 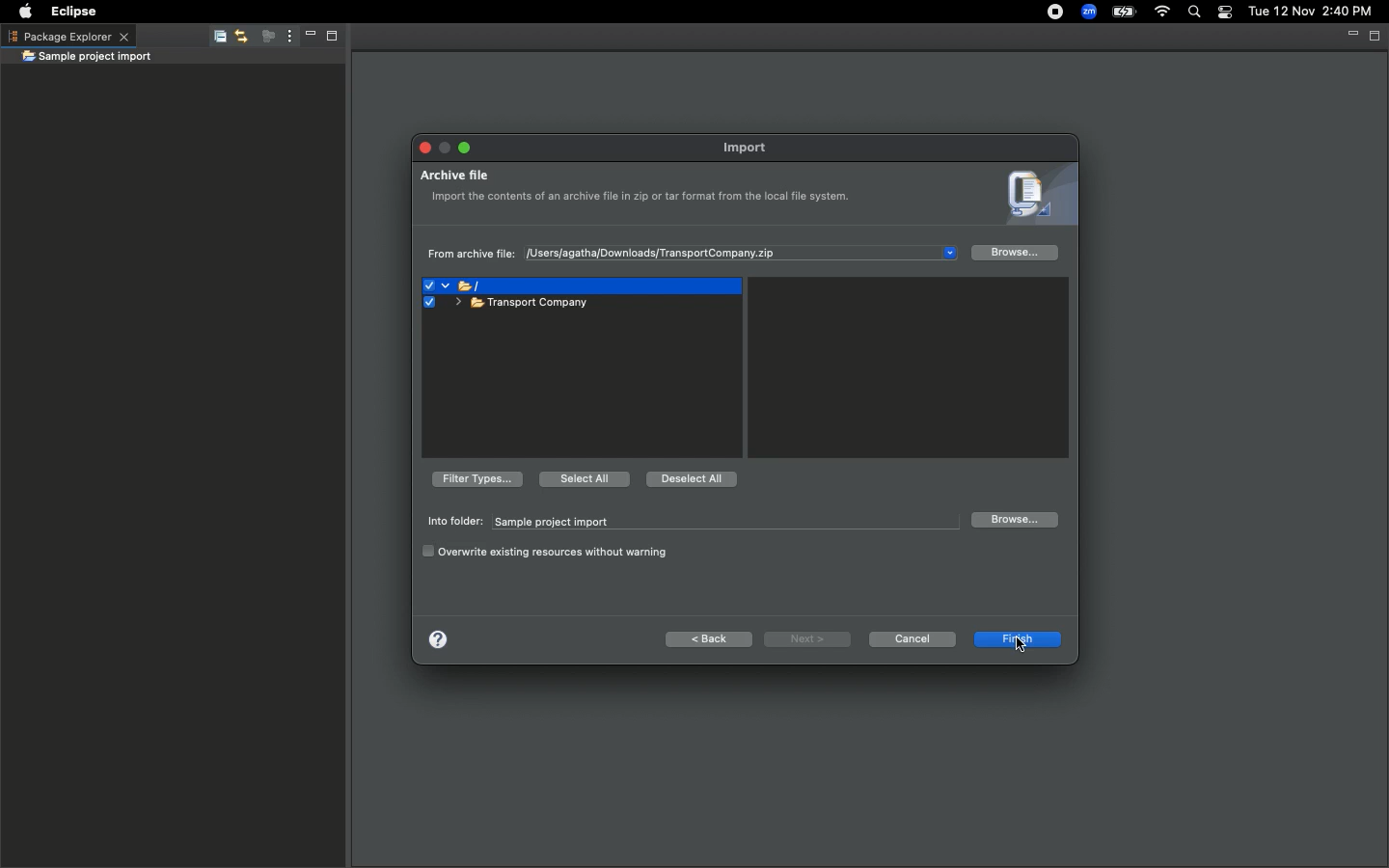 What do you see at coordinates (1375, 36) in the screenshot?
I see `Maximize` at bounding box center [1375, 36].